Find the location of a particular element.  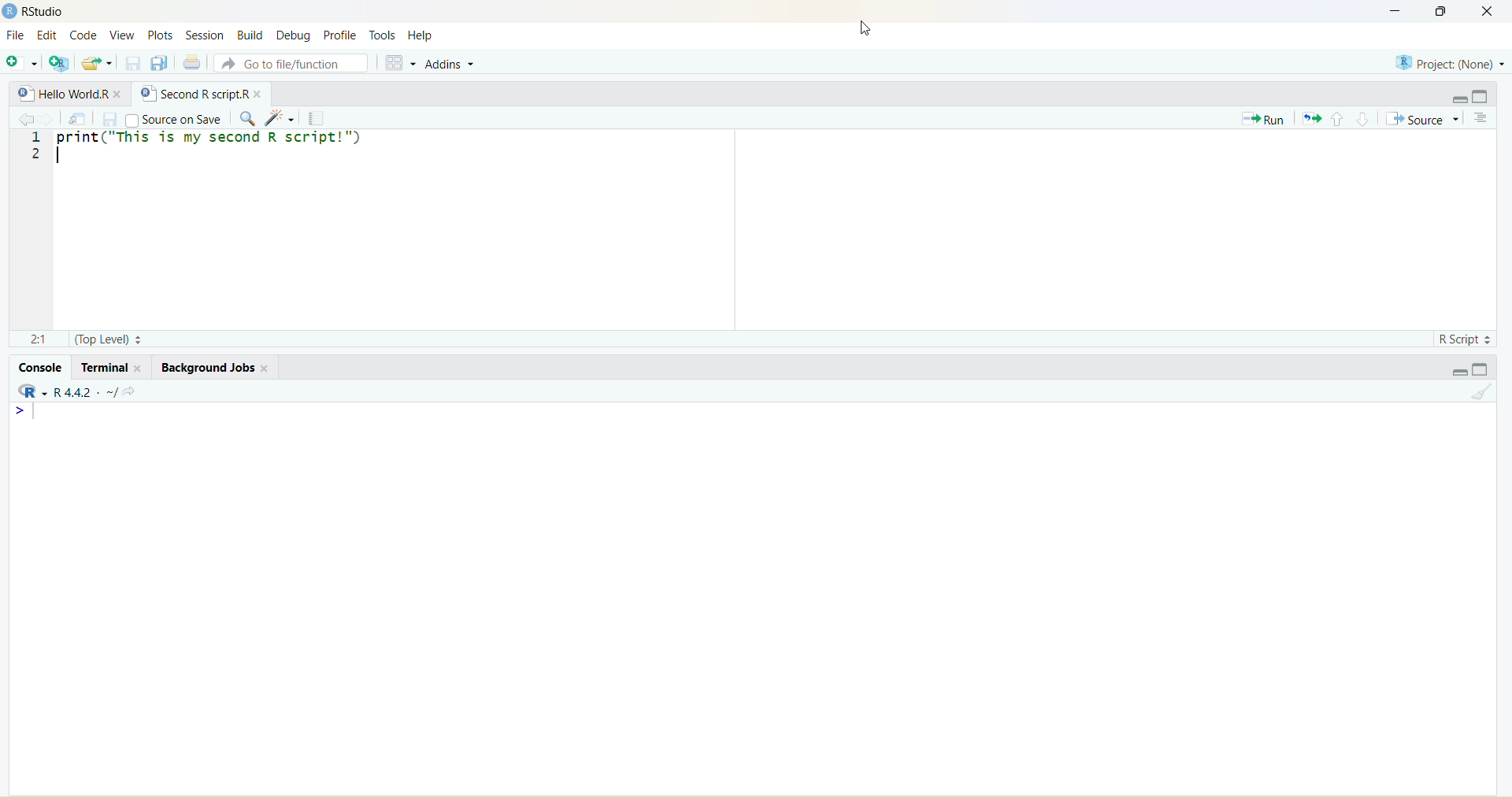

Prompt cursor is located at coordinates (19, 410).